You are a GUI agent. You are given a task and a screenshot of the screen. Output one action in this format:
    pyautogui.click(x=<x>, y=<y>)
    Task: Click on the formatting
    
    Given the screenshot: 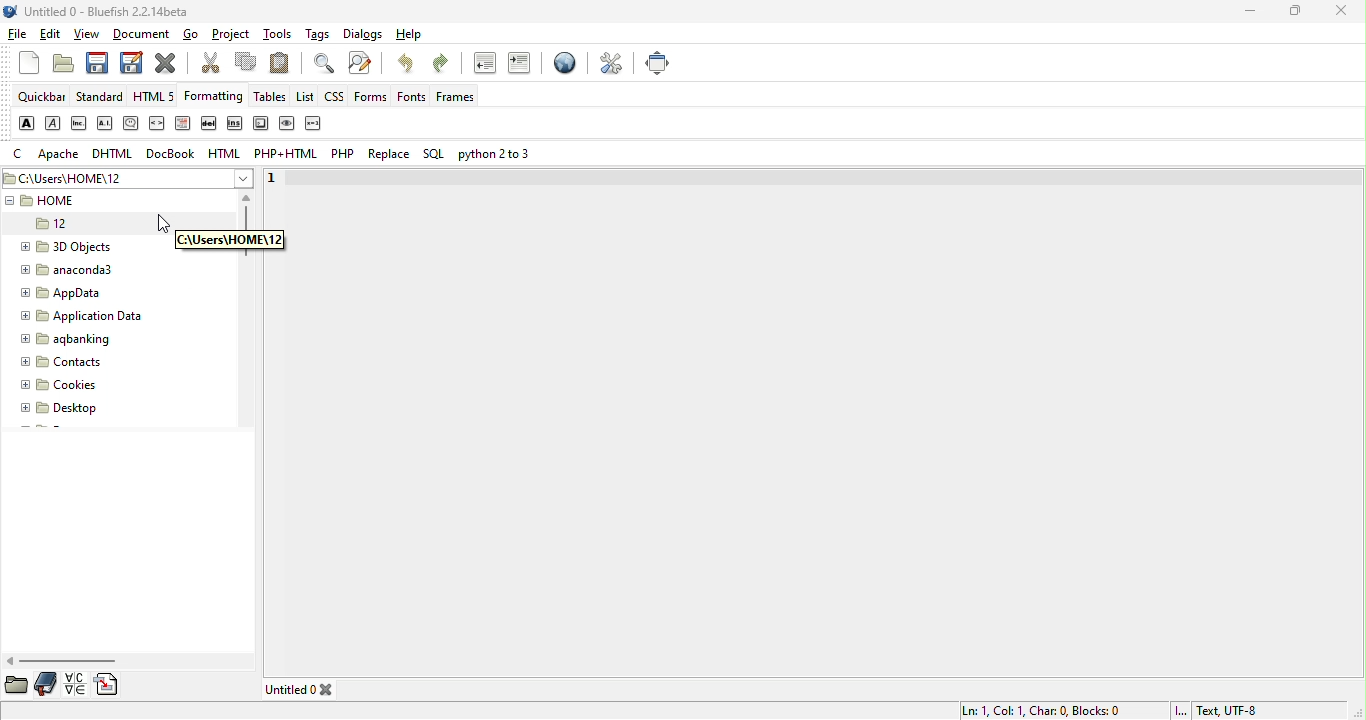 What is the action you would take?
    pyautogui.click(x=212, y=96)
    